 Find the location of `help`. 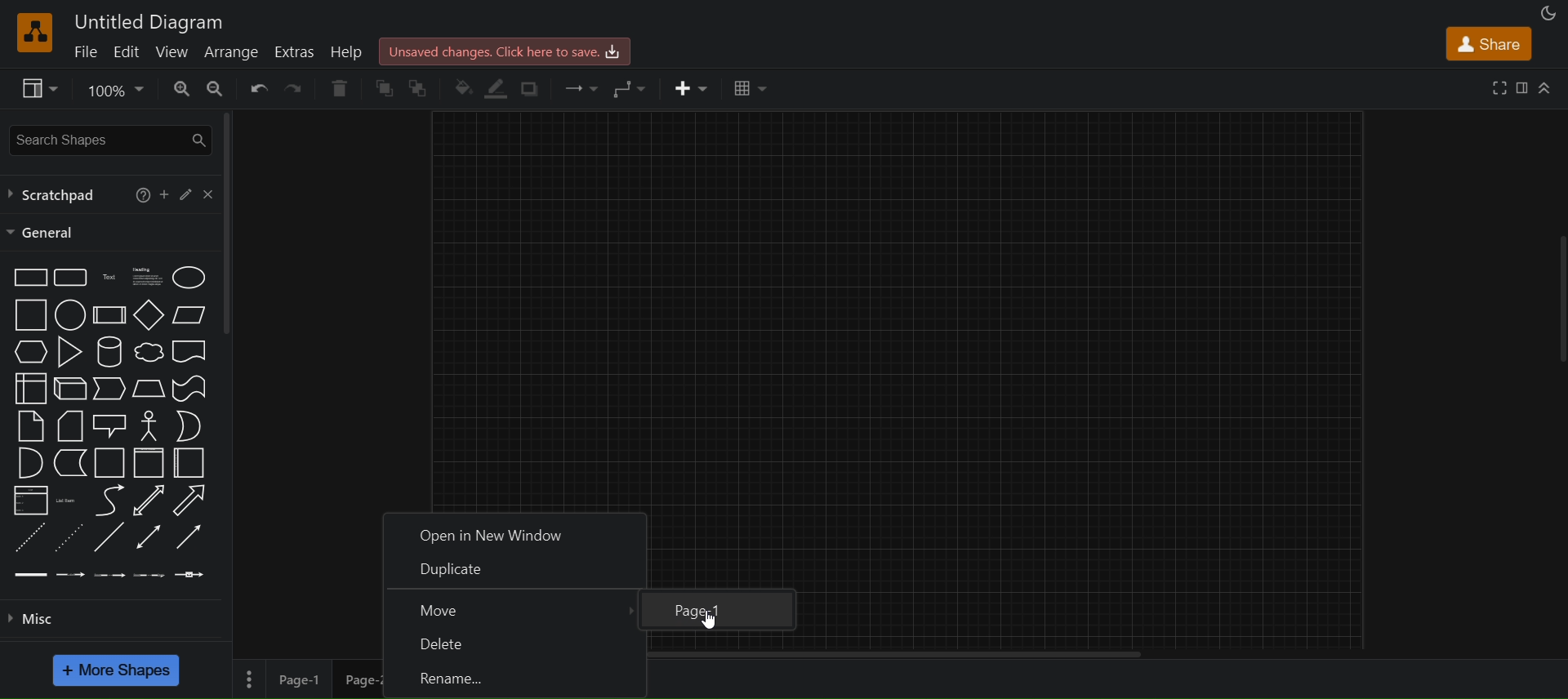

help is located at coordinates (349, 51).